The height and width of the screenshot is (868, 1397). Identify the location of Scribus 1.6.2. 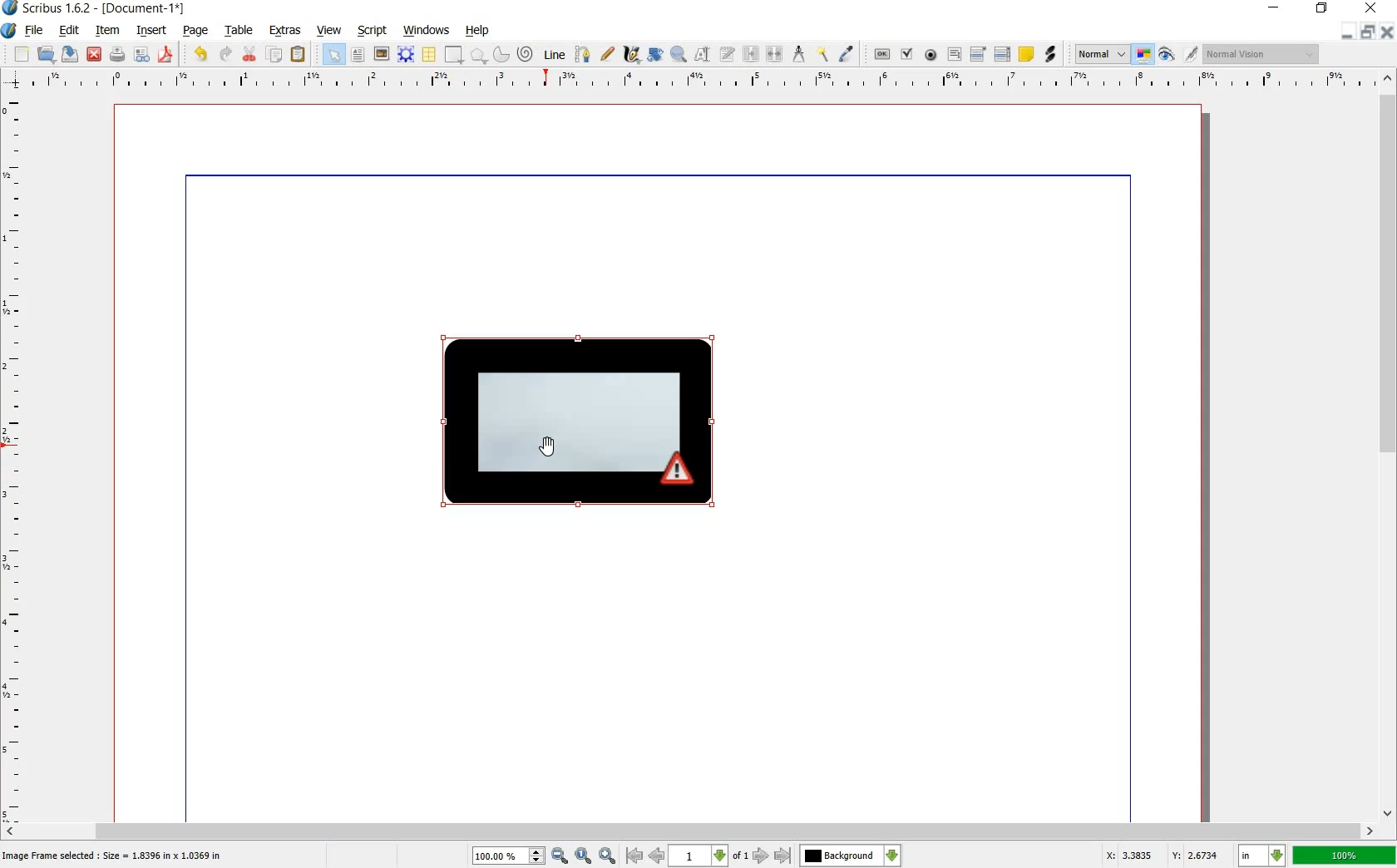
(47, 8).